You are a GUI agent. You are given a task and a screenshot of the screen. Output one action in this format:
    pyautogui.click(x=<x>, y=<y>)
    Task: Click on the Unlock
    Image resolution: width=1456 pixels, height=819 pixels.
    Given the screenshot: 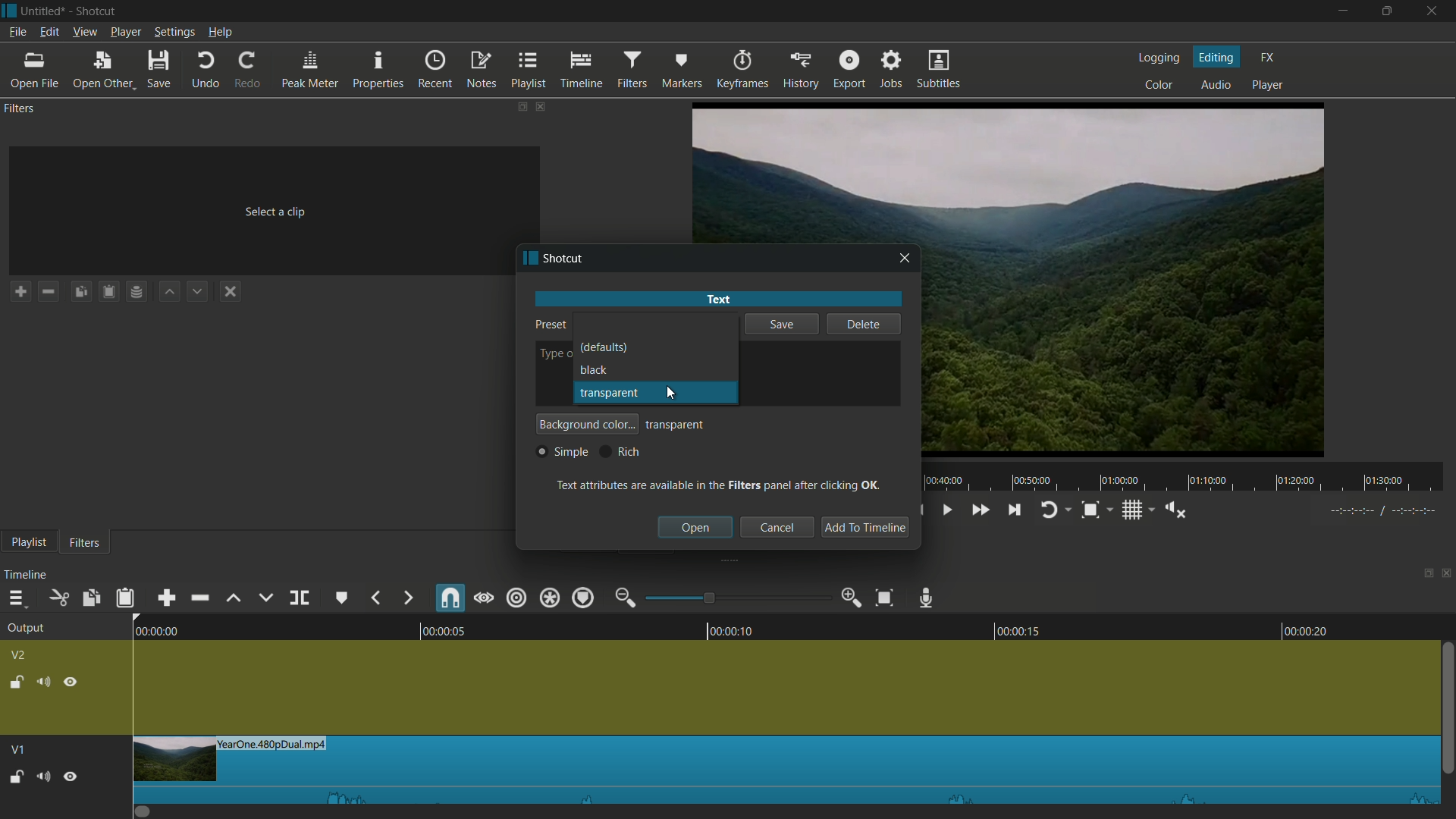 What is the action you would take?
    pyautogui.click(x=16, y=777)
    